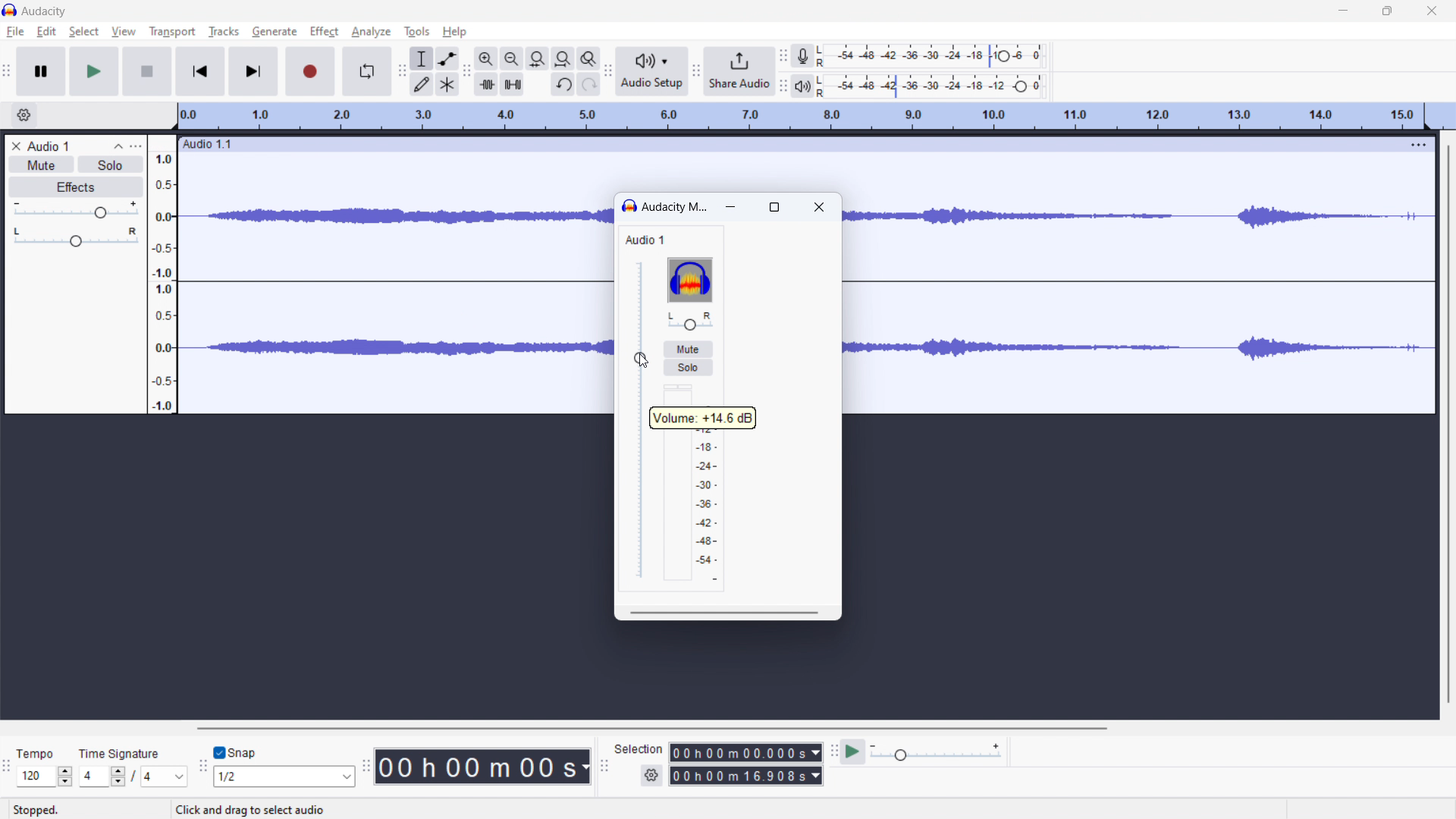 This screenshot has height=819, width=1456. Describe the element at coordinates (124, 31) in the screenshot. I see `view` at that location.